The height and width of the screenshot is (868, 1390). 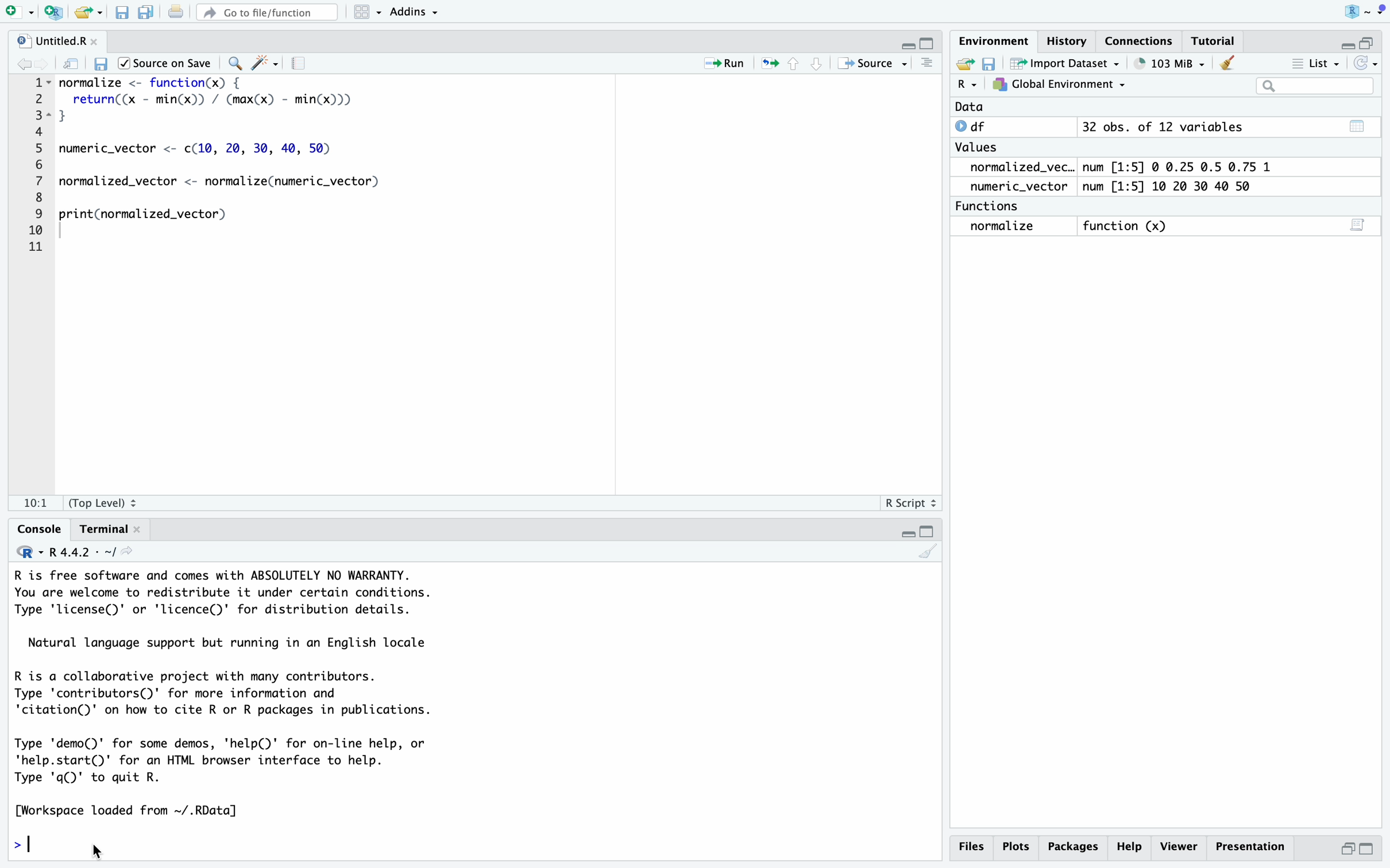 What do you see at coordinates (1355, 124) in the screenshot?
I see `Data/Table` at bounding box center [1355, 124].